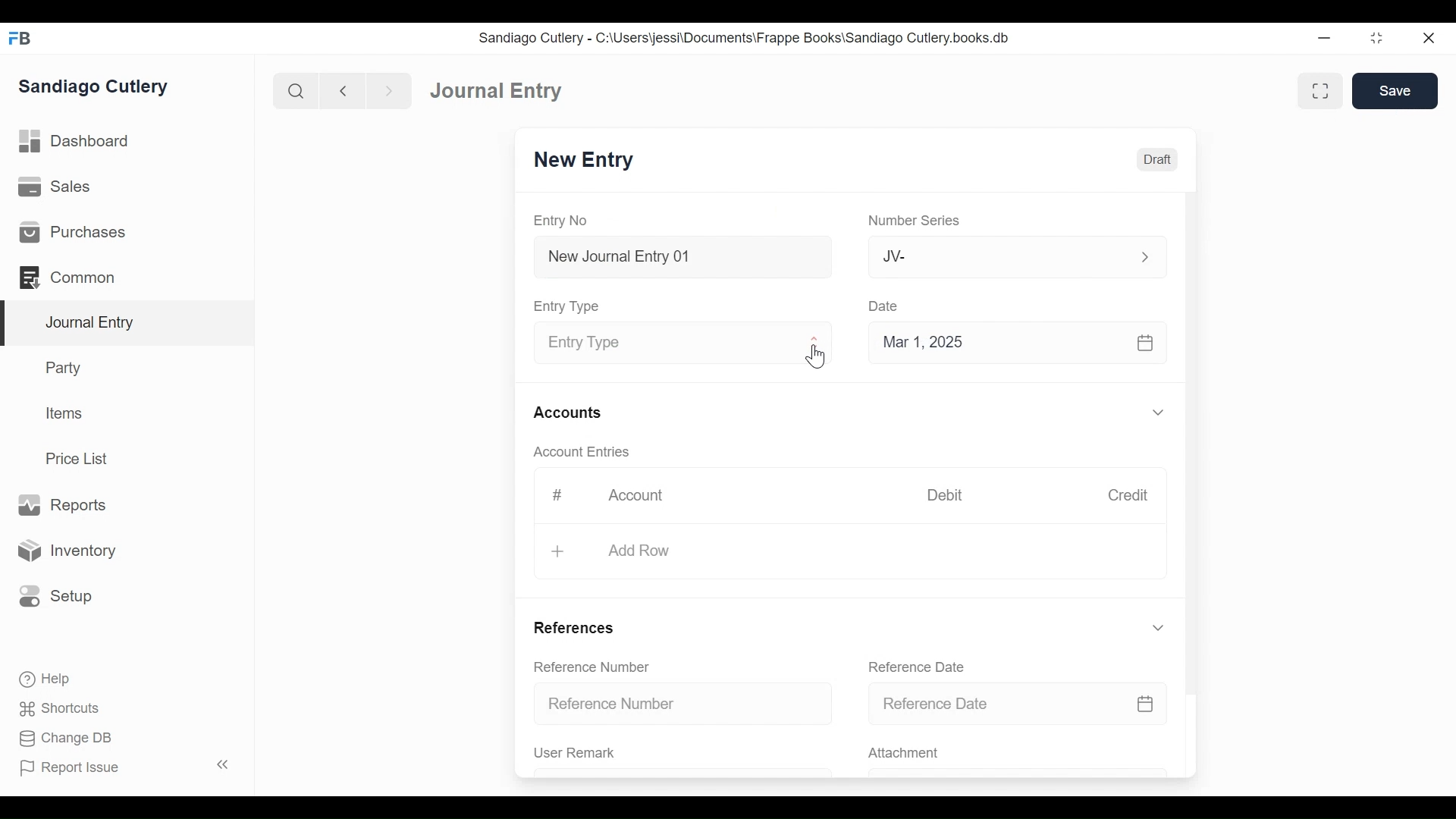 The image size is (1456, 819). I want to click on Save, so click(1395, 90).